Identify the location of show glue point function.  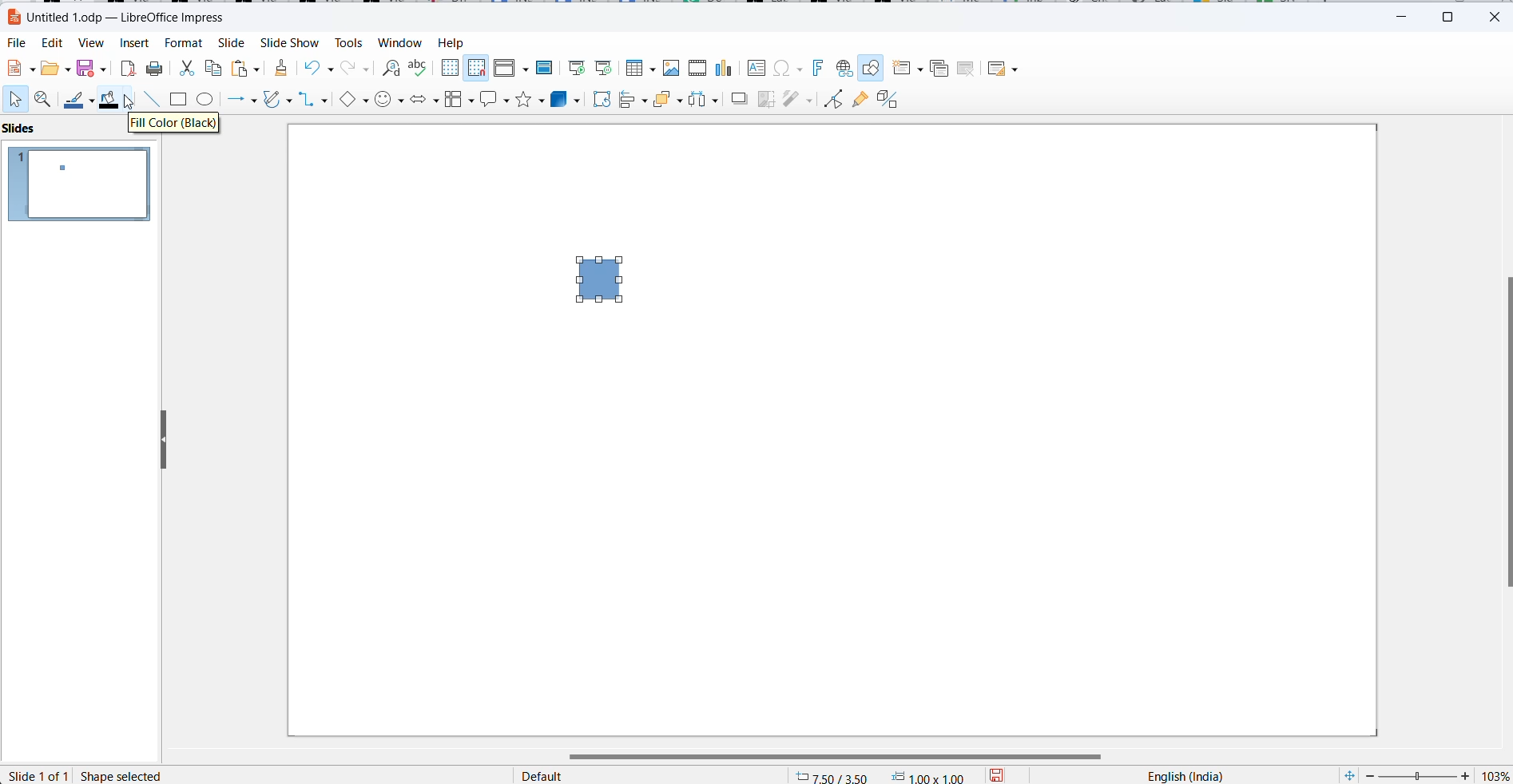
(859, 101).